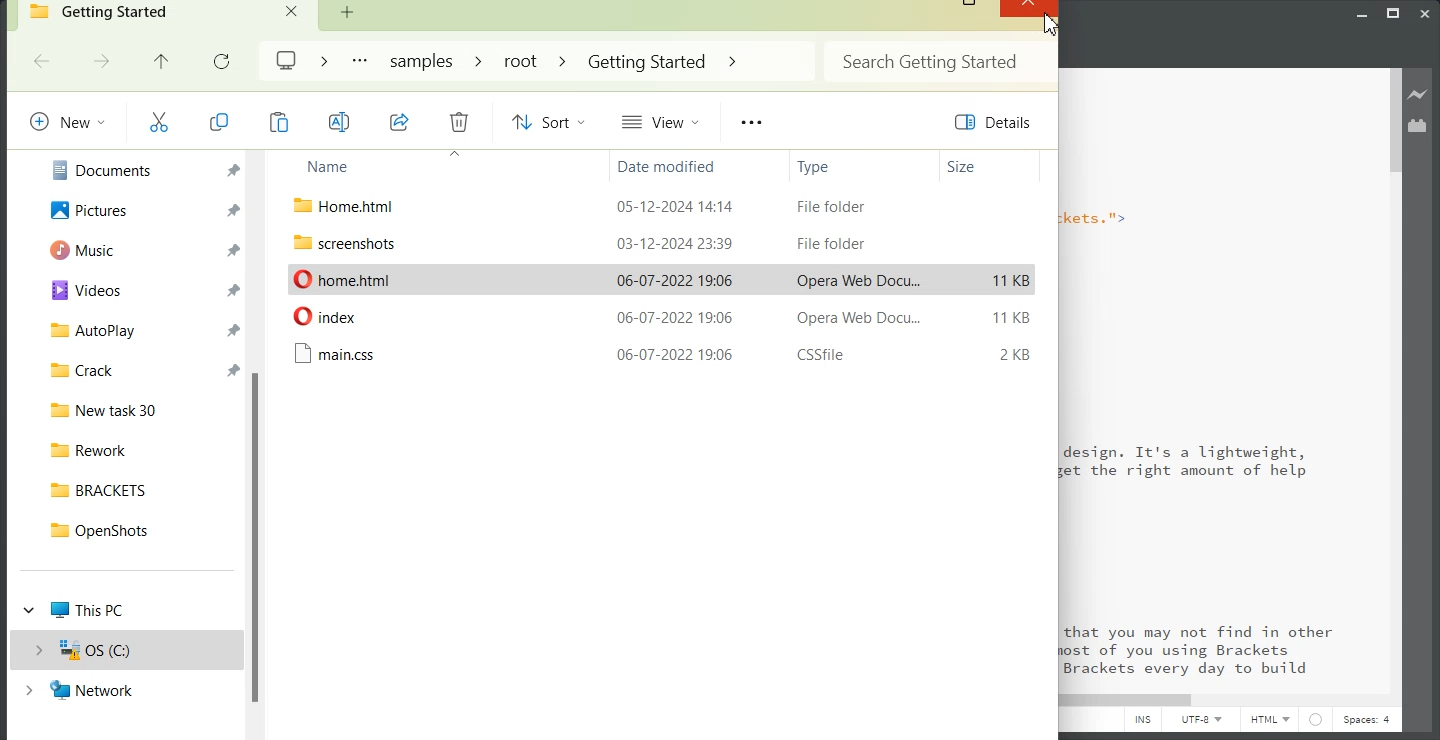 The width and height of the screenshot is (1440, 740). Describe the element at coordinates (993, 123) in the screenshot. I see `Details` at that location.